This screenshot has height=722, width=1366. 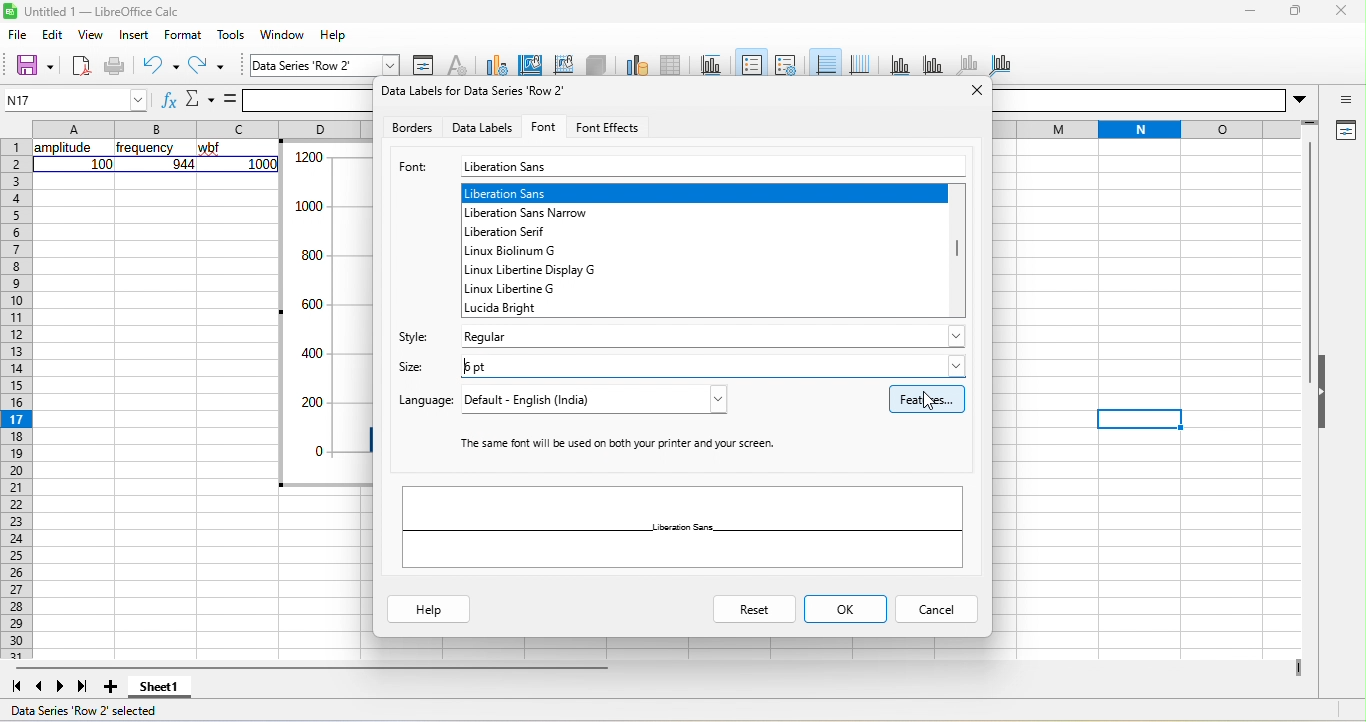 What do you see at coordinates (63, 148) in the screenshot?
I see `amplitude` at bounding box center [63, 148].